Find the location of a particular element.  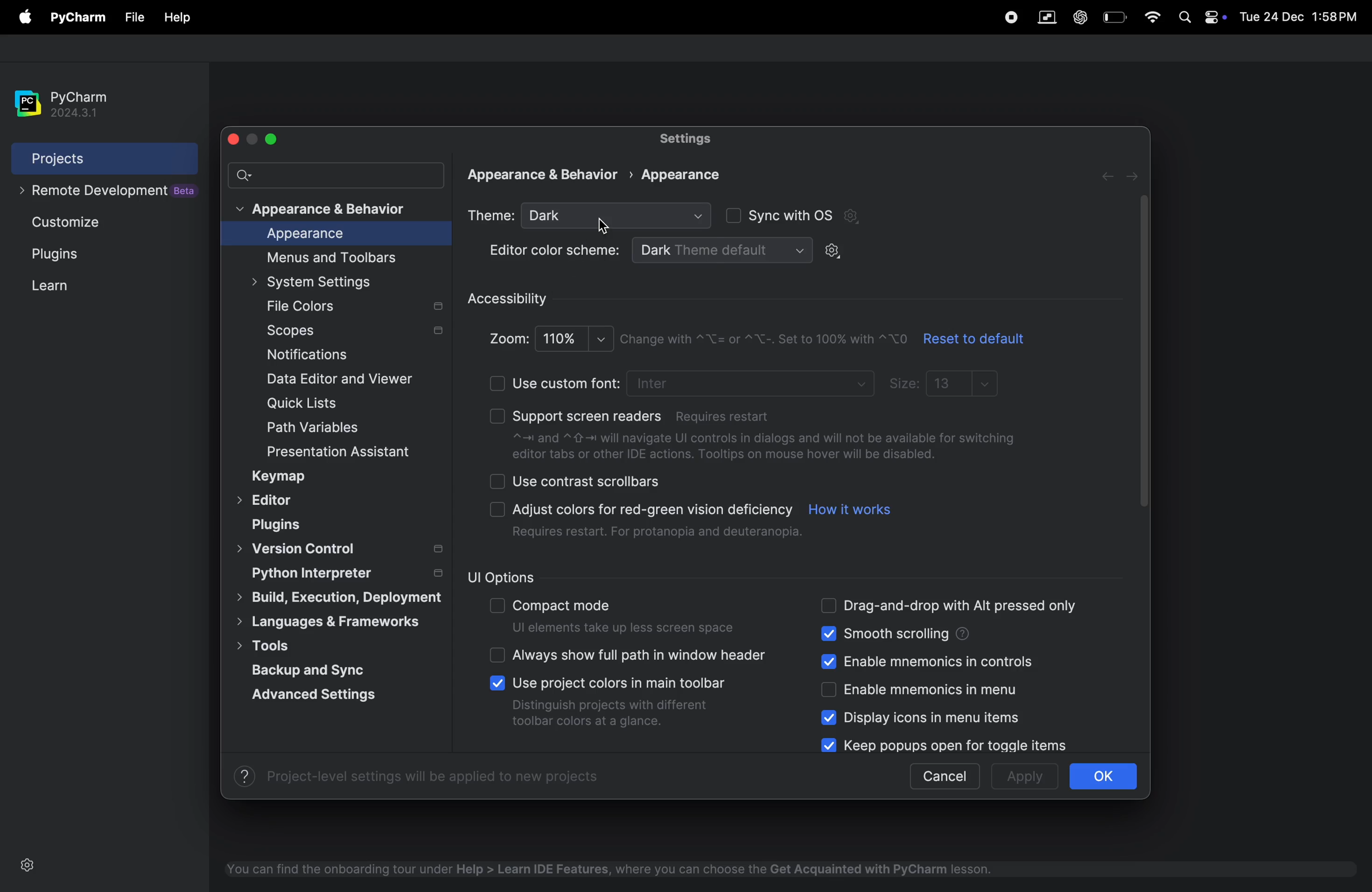

learn is located at coordinates (50, 286).